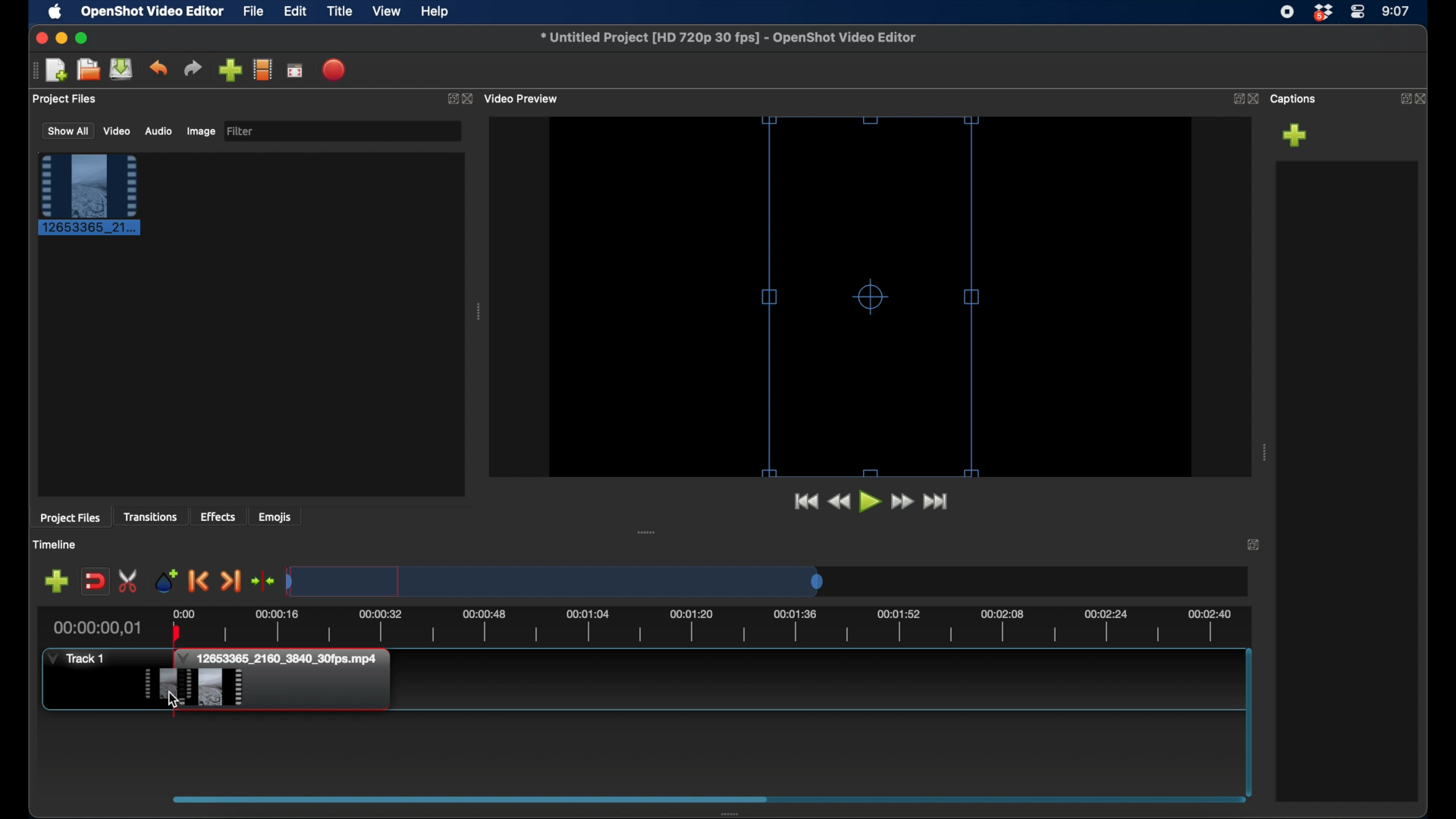  Describe the element at coordinates (262, 581) in the screenshot. I see `center playhead on the timeline` at that location.